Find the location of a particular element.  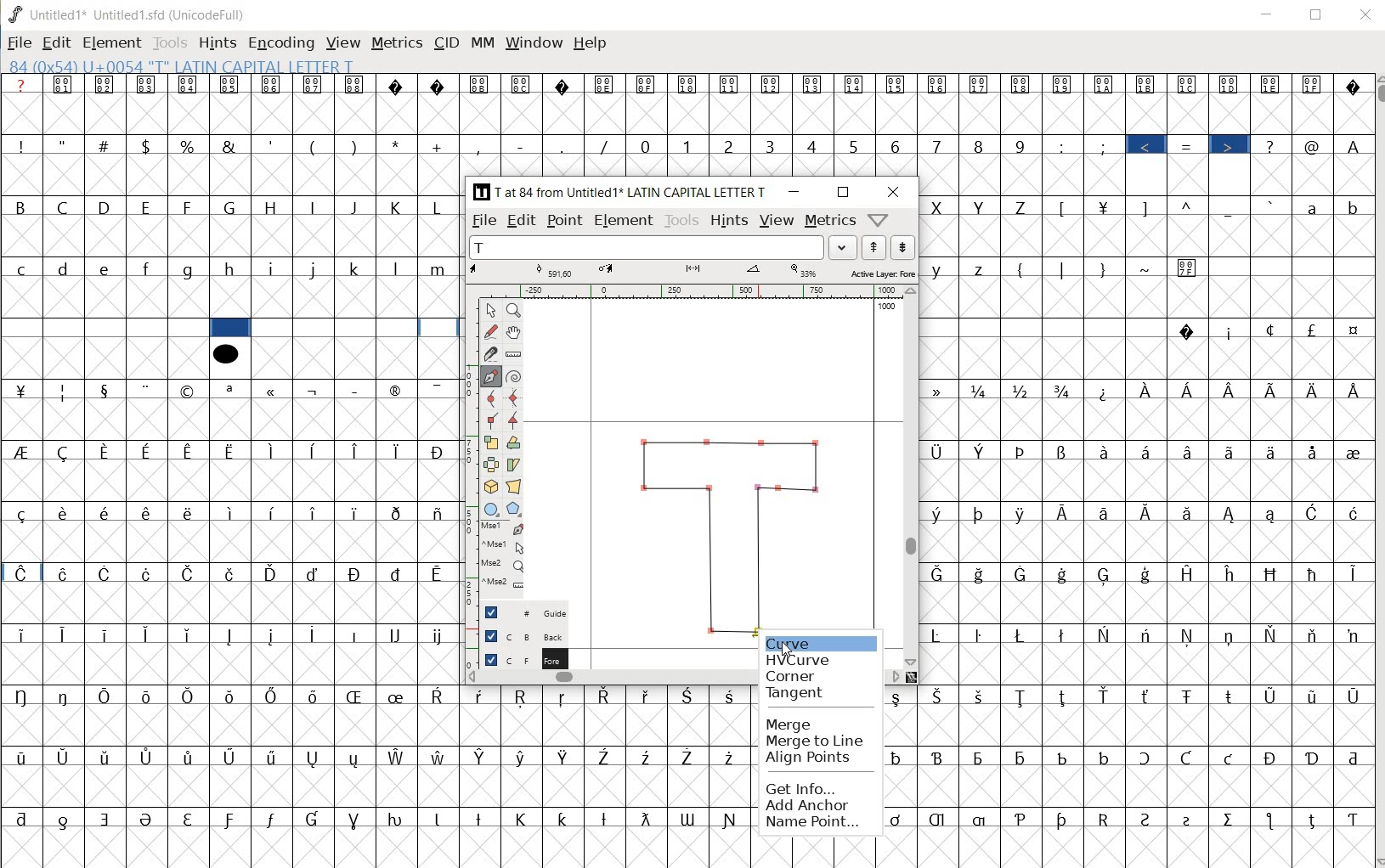

Symbol is located at coordinates (188, 572).